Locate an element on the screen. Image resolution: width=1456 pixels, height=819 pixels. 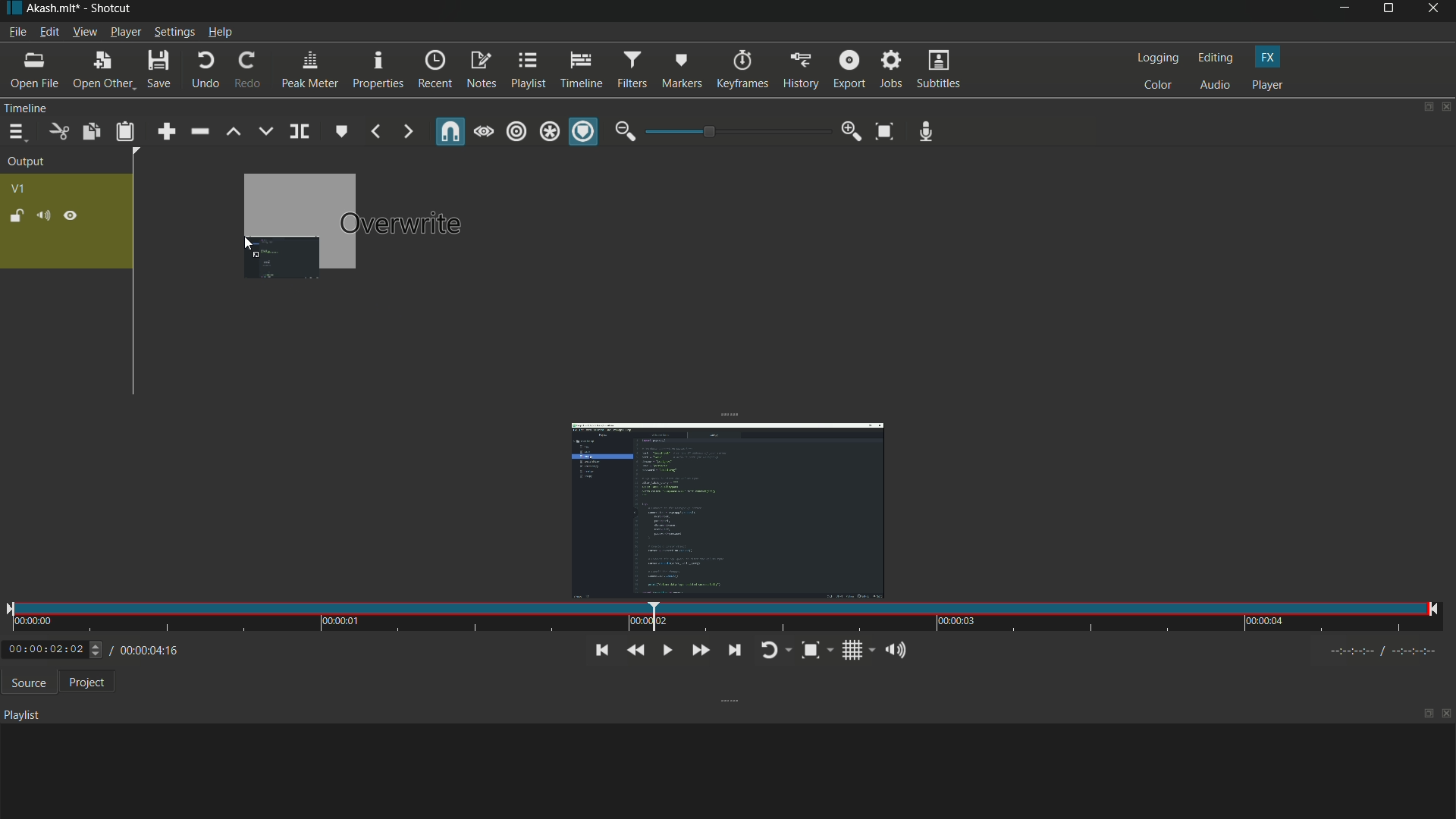
ripple is located at coordinates (517, 133).